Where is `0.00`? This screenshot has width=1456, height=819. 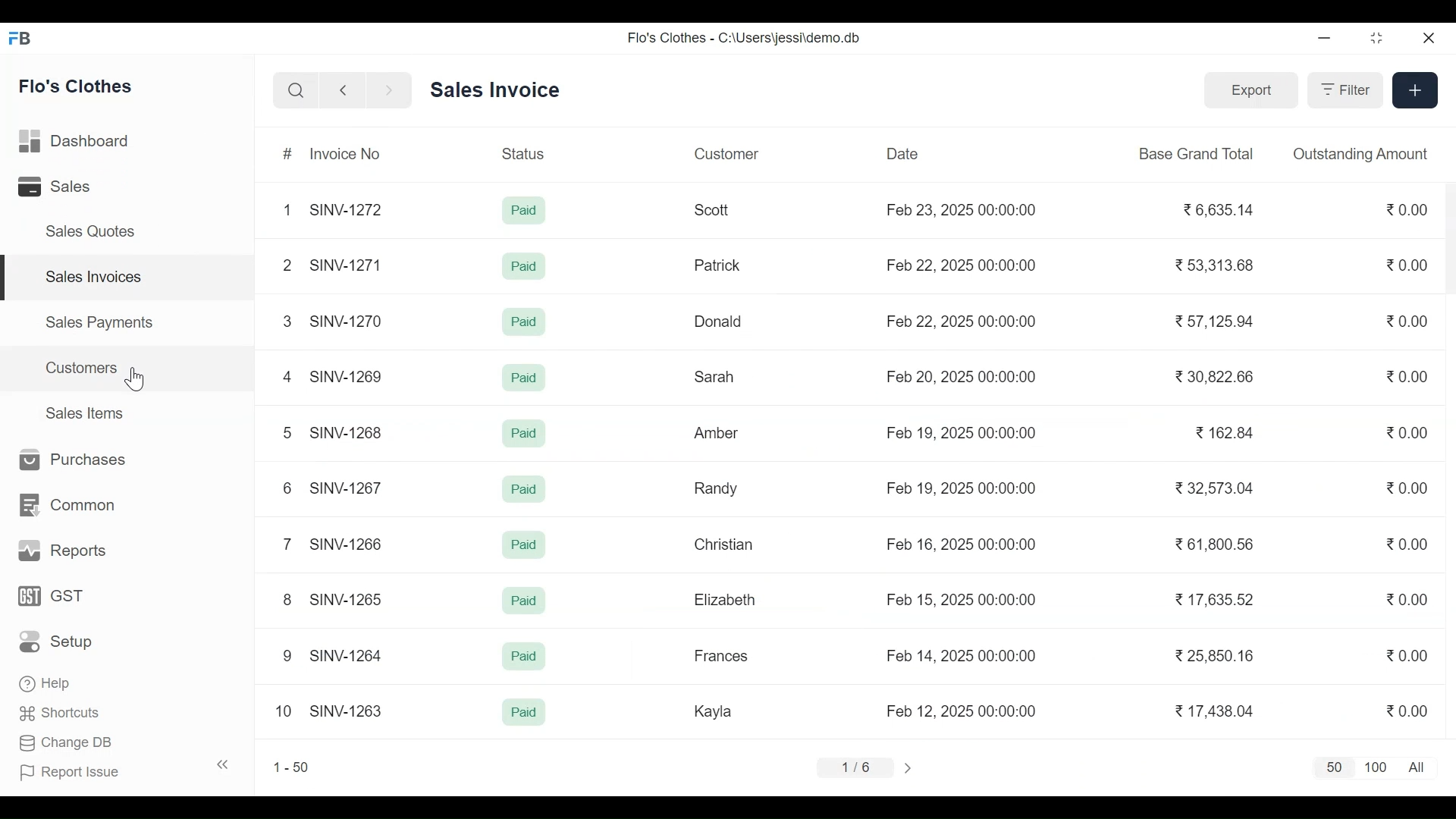 0.00 is located at coordinates (1404, 543).